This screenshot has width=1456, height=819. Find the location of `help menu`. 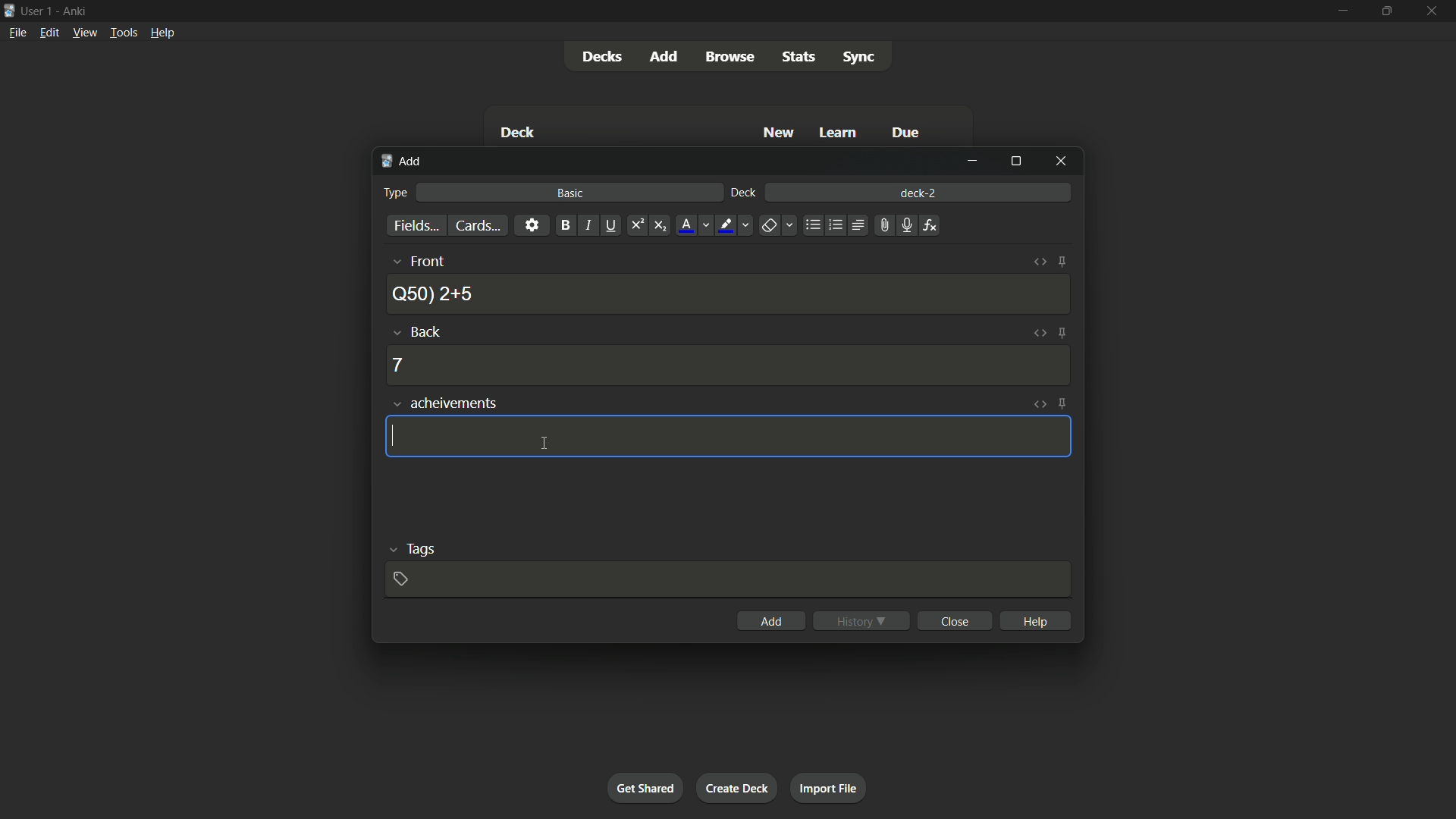

help menu is located at coordinates (164, 32).